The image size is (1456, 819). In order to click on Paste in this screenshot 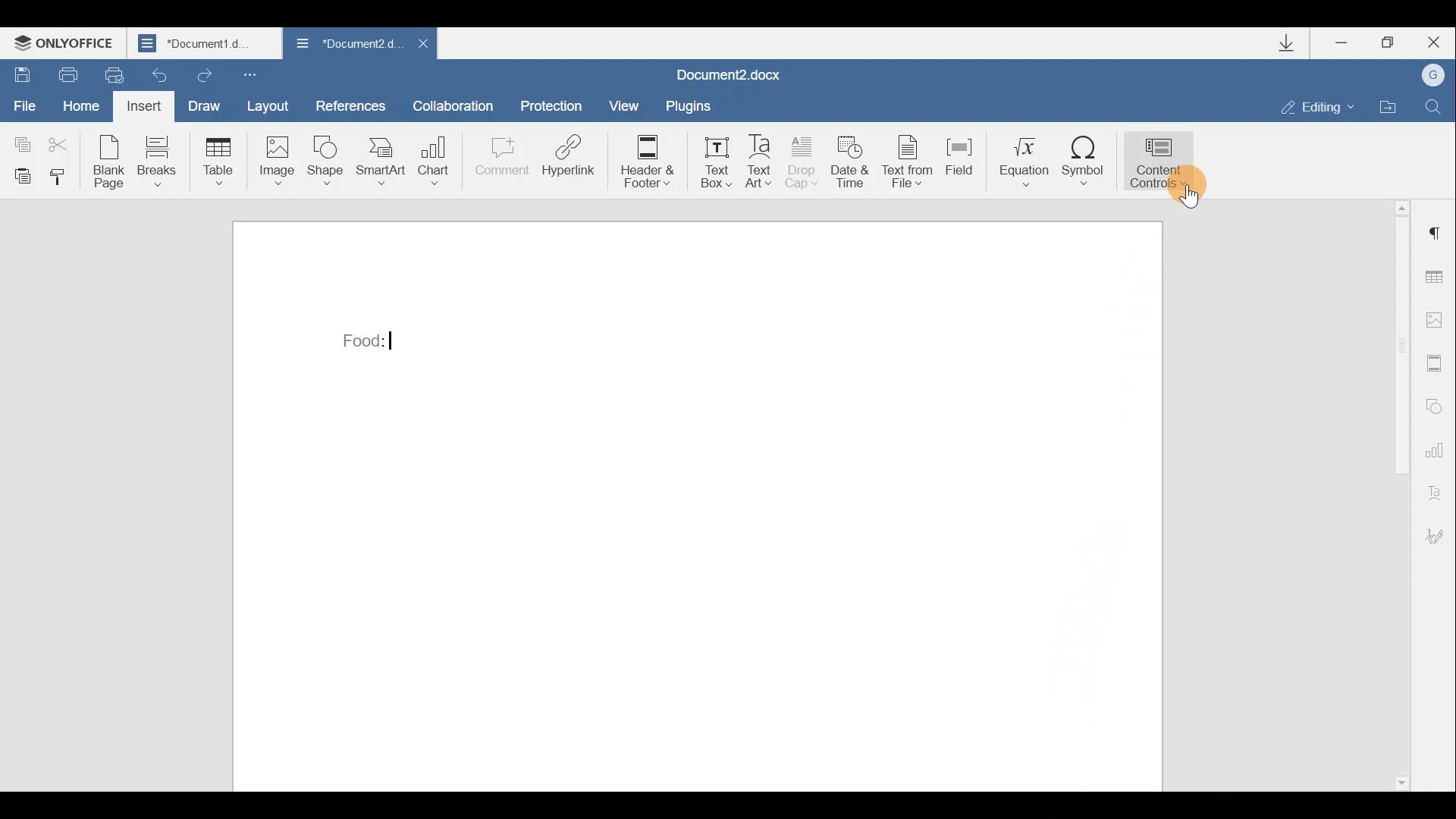, I will do `click(17, 175)`.